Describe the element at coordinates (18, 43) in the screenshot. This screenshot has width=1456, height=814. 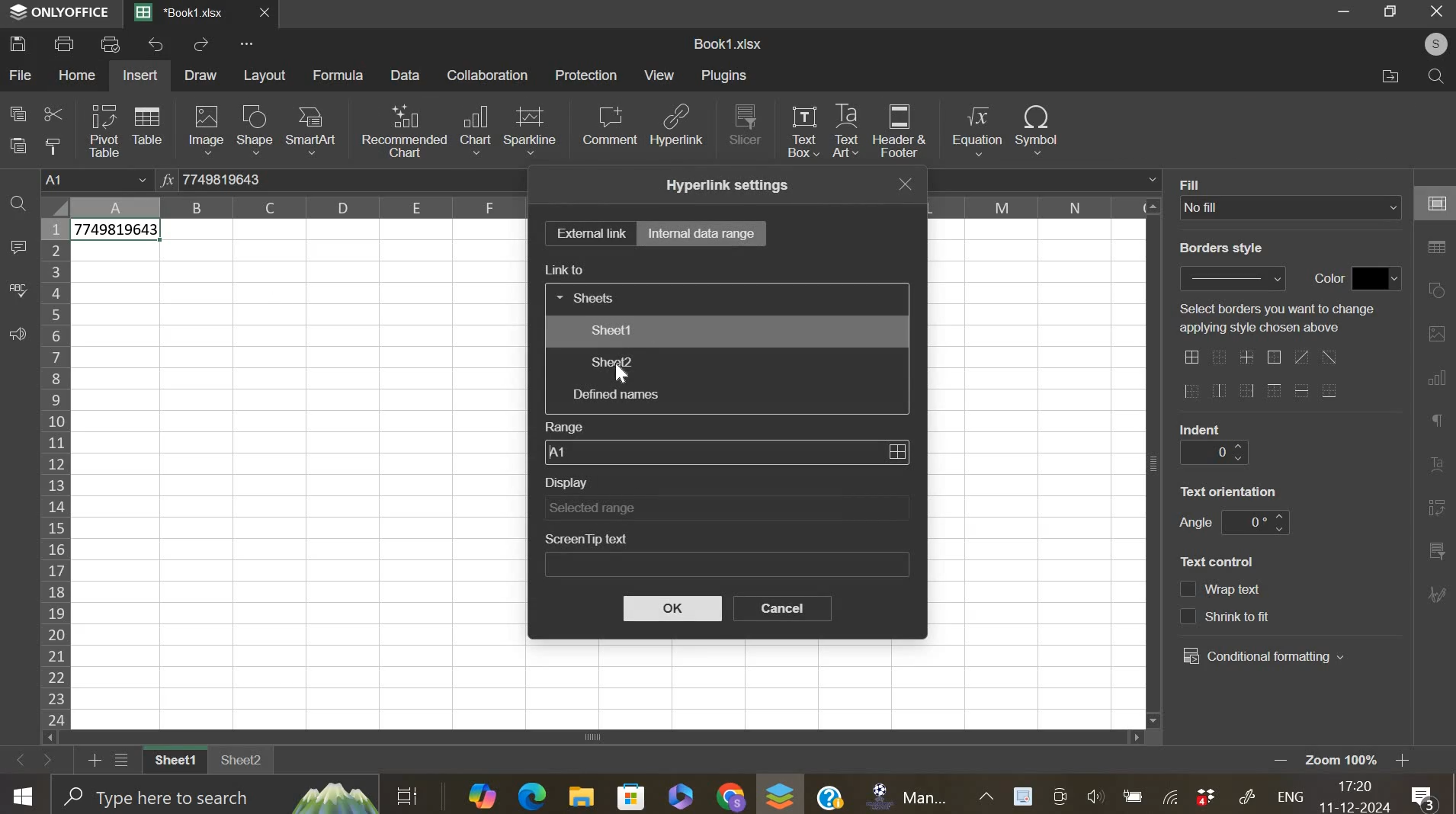
I see `save` at that location.